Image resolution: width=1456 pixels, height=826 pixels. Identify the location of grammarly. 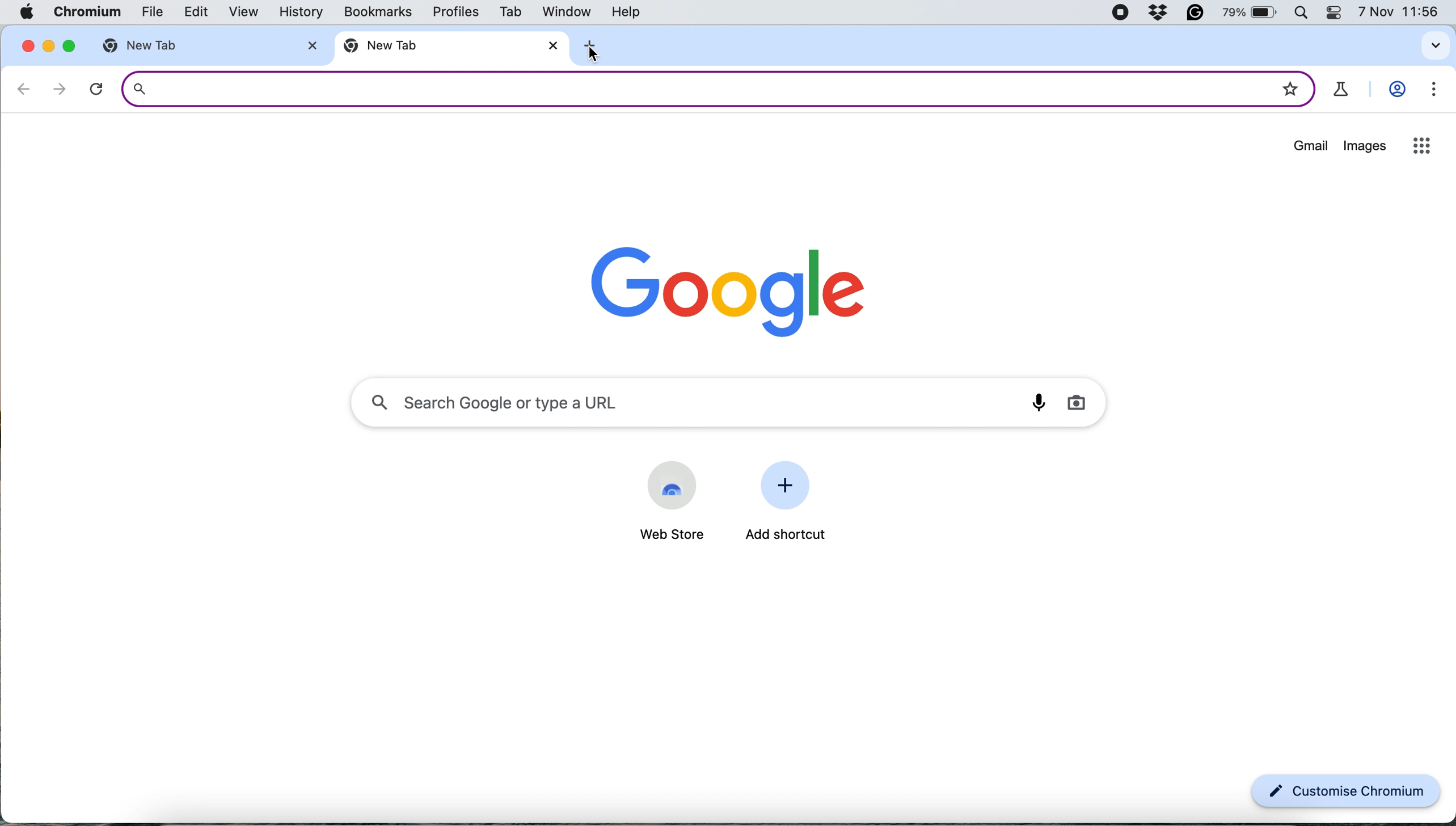
(1197, 13).